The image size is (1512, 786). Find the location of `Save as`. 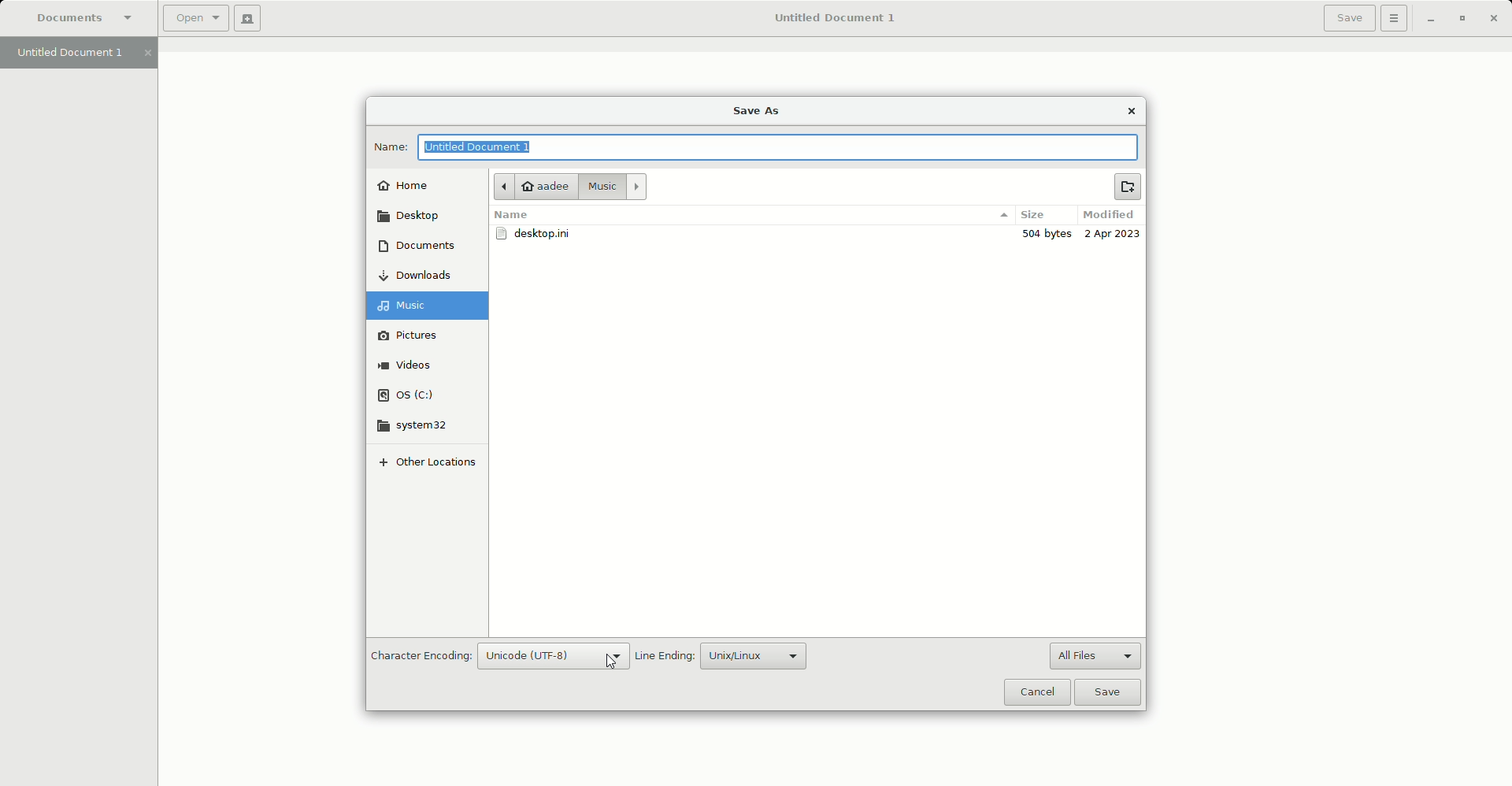

Save as is located at coordinates (762, 109).